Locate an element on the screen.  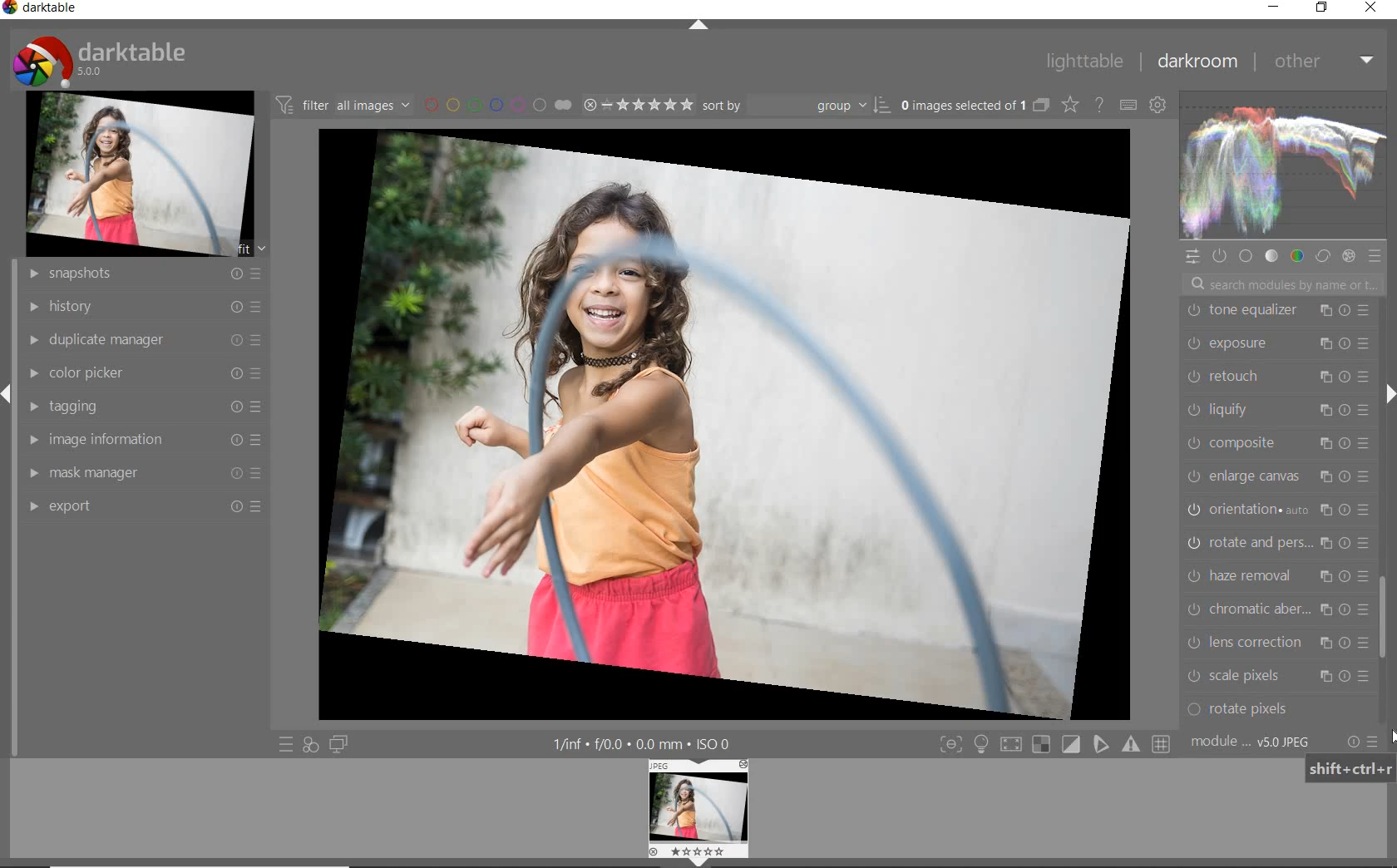
rotate pixels is located at coordinates (1269, 710).